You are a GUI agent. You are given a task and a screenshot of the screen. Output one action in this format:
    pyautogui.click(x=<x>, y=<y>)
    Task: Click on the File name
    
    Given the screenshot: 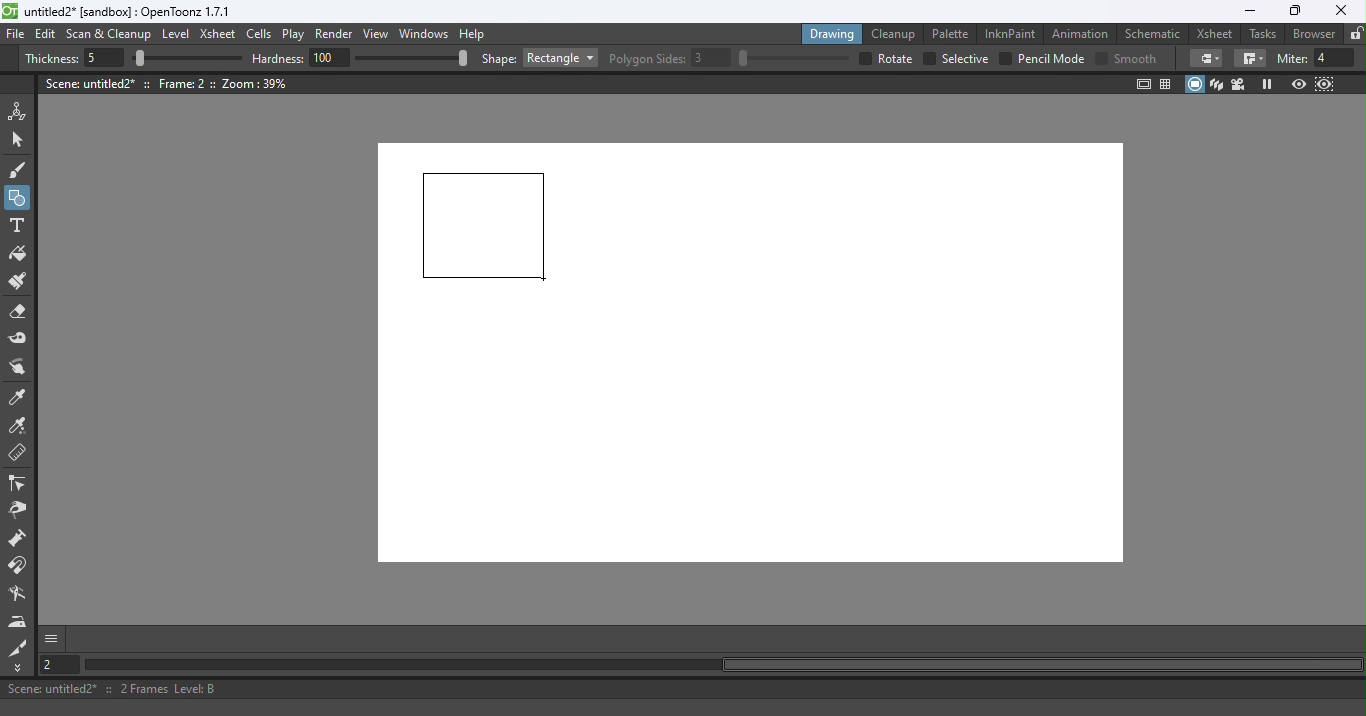 What is the action you would take?
    pyautogui.click(x=129, y=12)
    